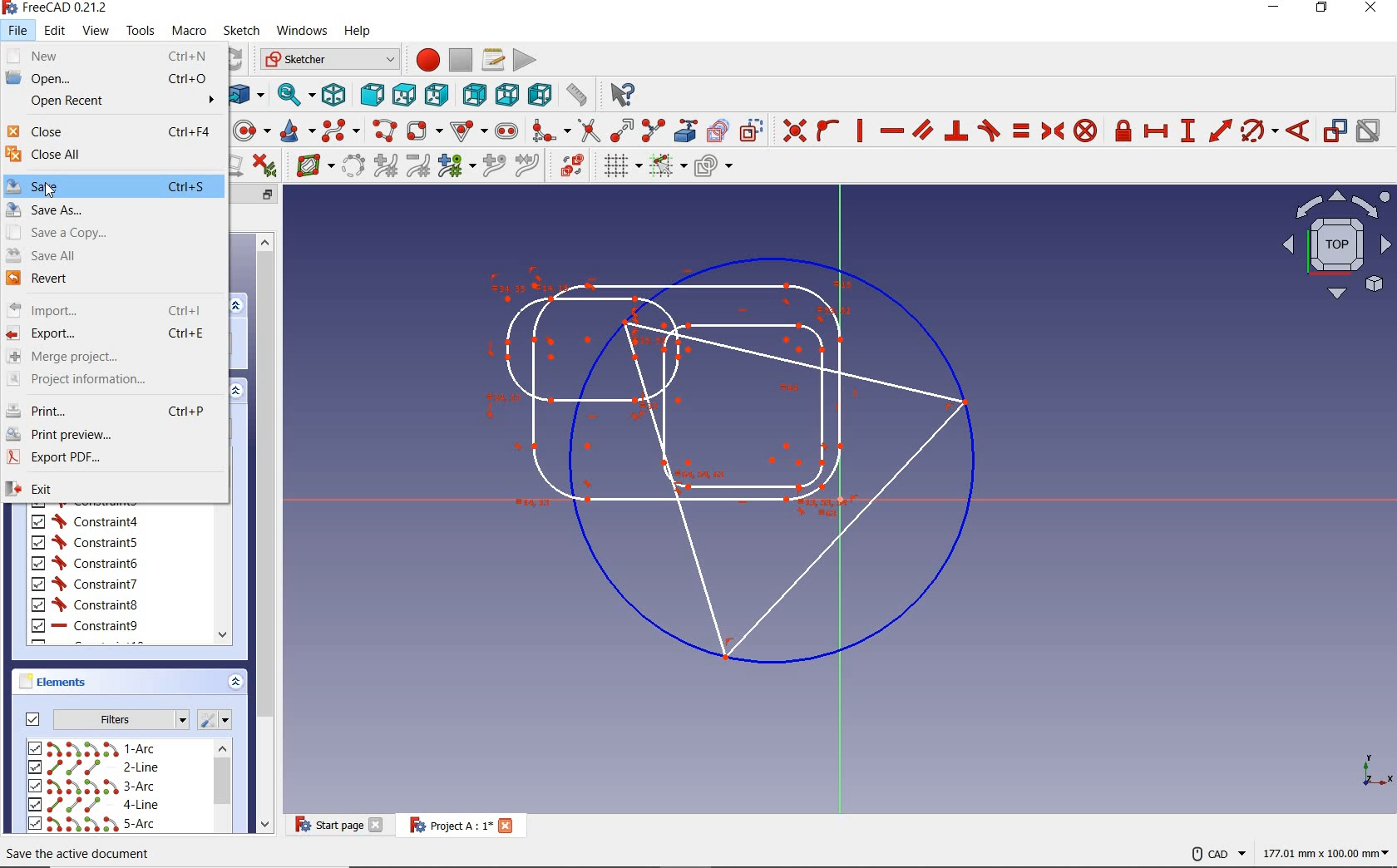  Describe the element at coordinates (81, 854) in the screenshot. I see `save the active document` at that location.